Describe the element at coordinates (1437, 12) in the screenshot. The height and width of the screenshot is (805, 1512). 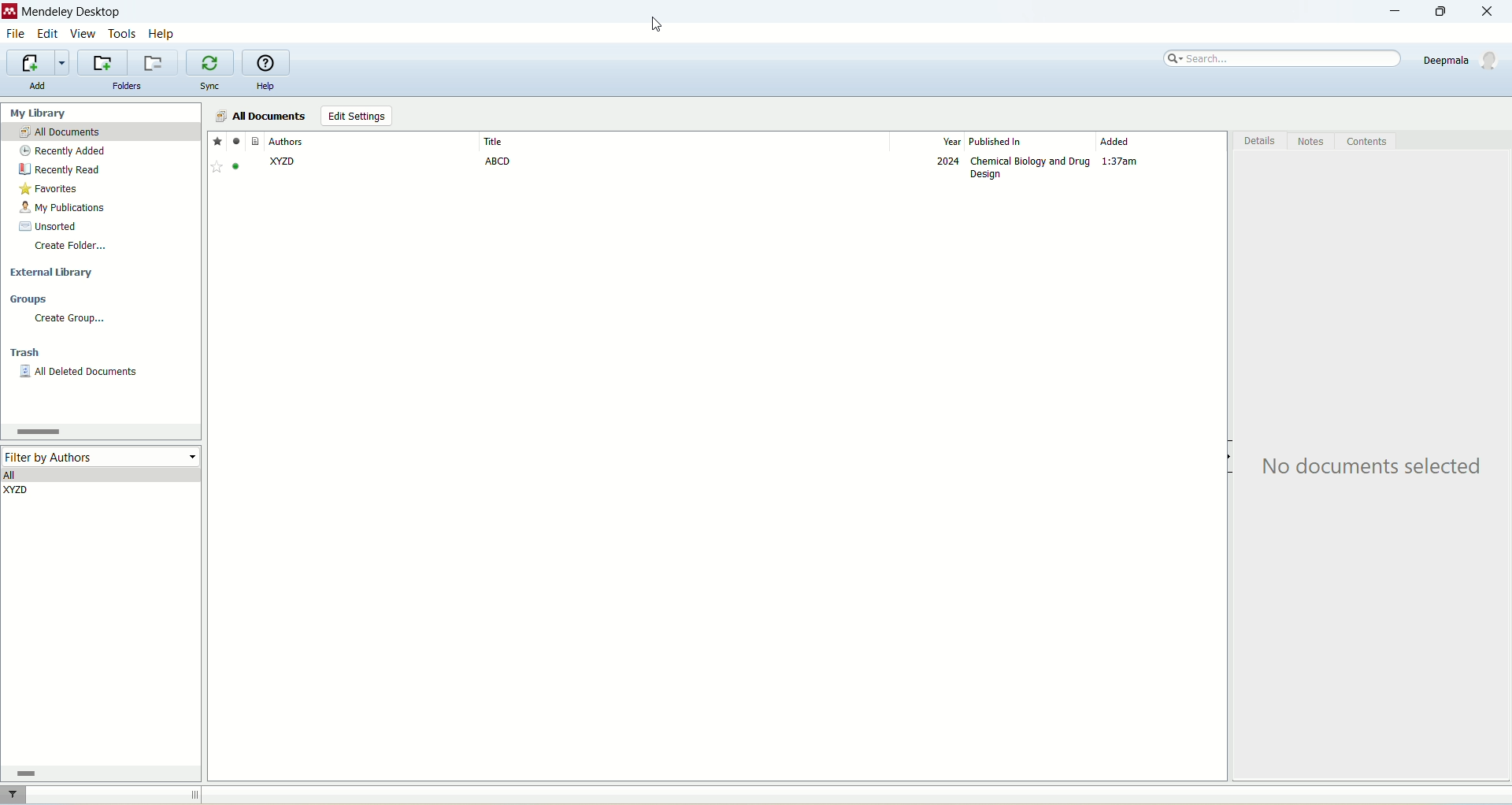
I see `maximize` at that location.